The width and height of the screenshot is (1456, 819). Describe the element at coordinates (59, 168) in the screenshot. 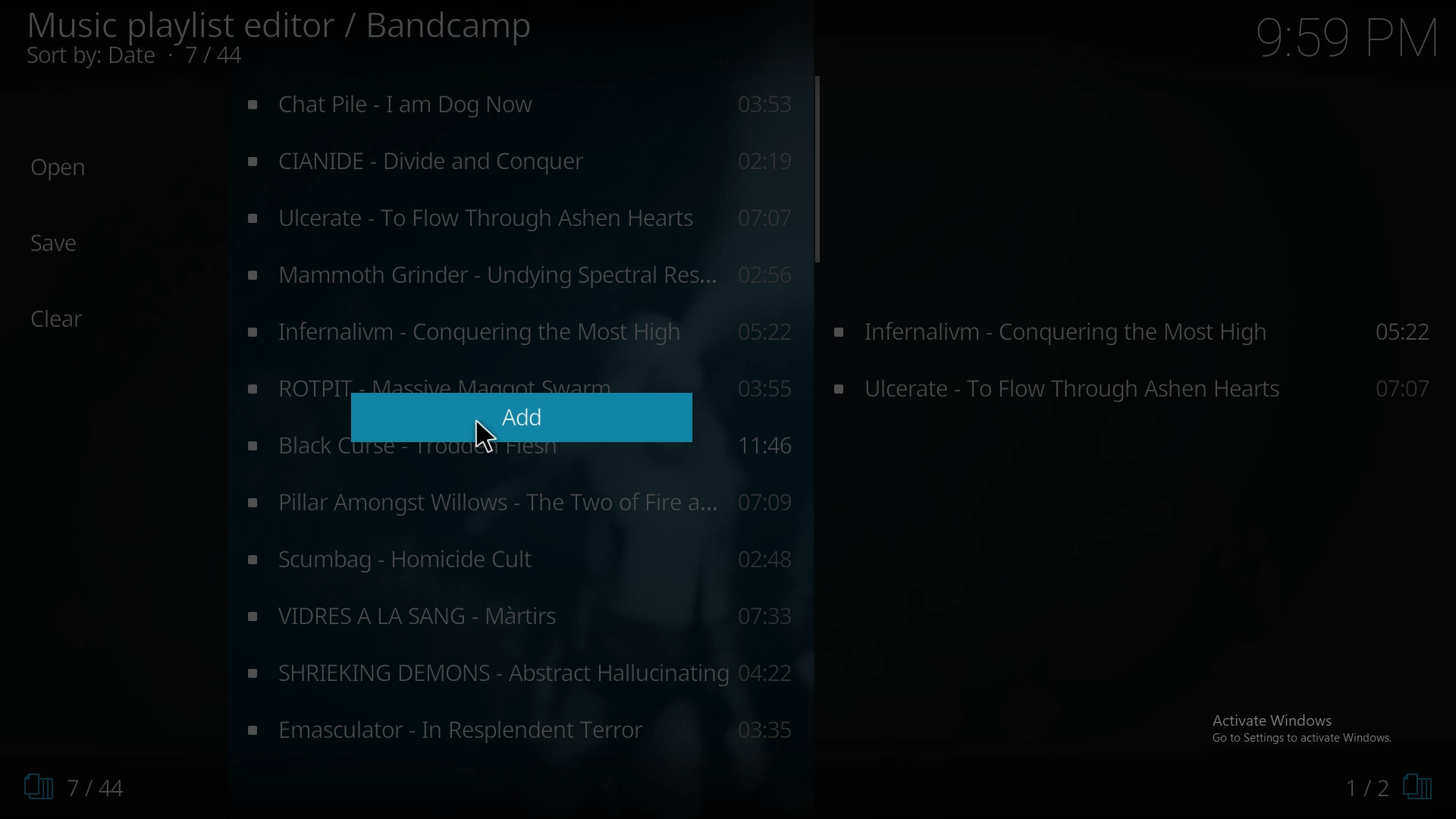

I see `Open` at that location.